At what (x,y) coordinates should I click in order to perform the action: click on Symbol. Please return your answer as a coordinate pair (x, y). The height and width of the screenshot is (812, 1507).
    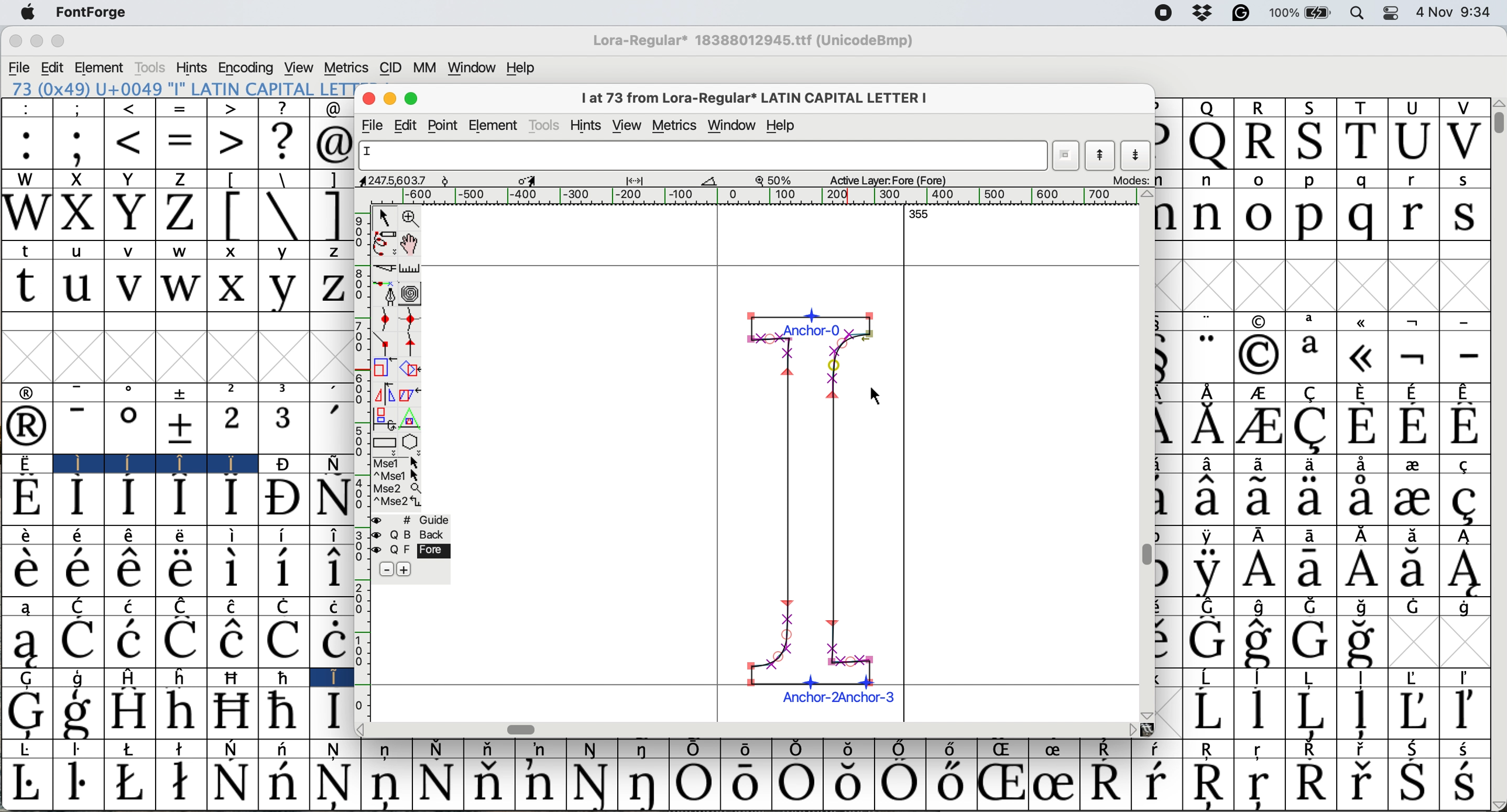
    Looking at the image, I should click on (232, 571).